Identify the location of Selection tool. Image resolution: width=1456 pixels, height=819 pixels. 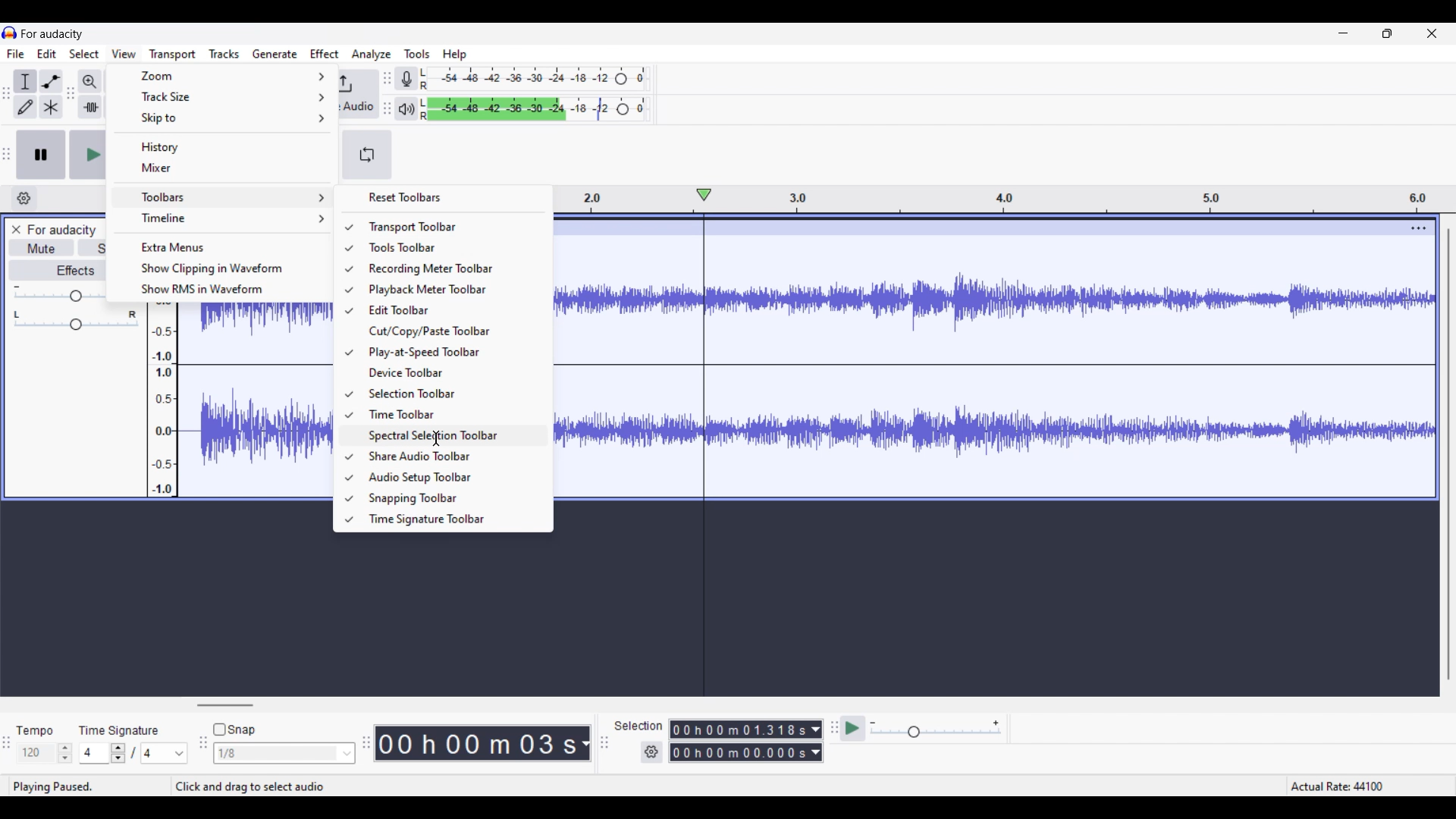
(25, 81).